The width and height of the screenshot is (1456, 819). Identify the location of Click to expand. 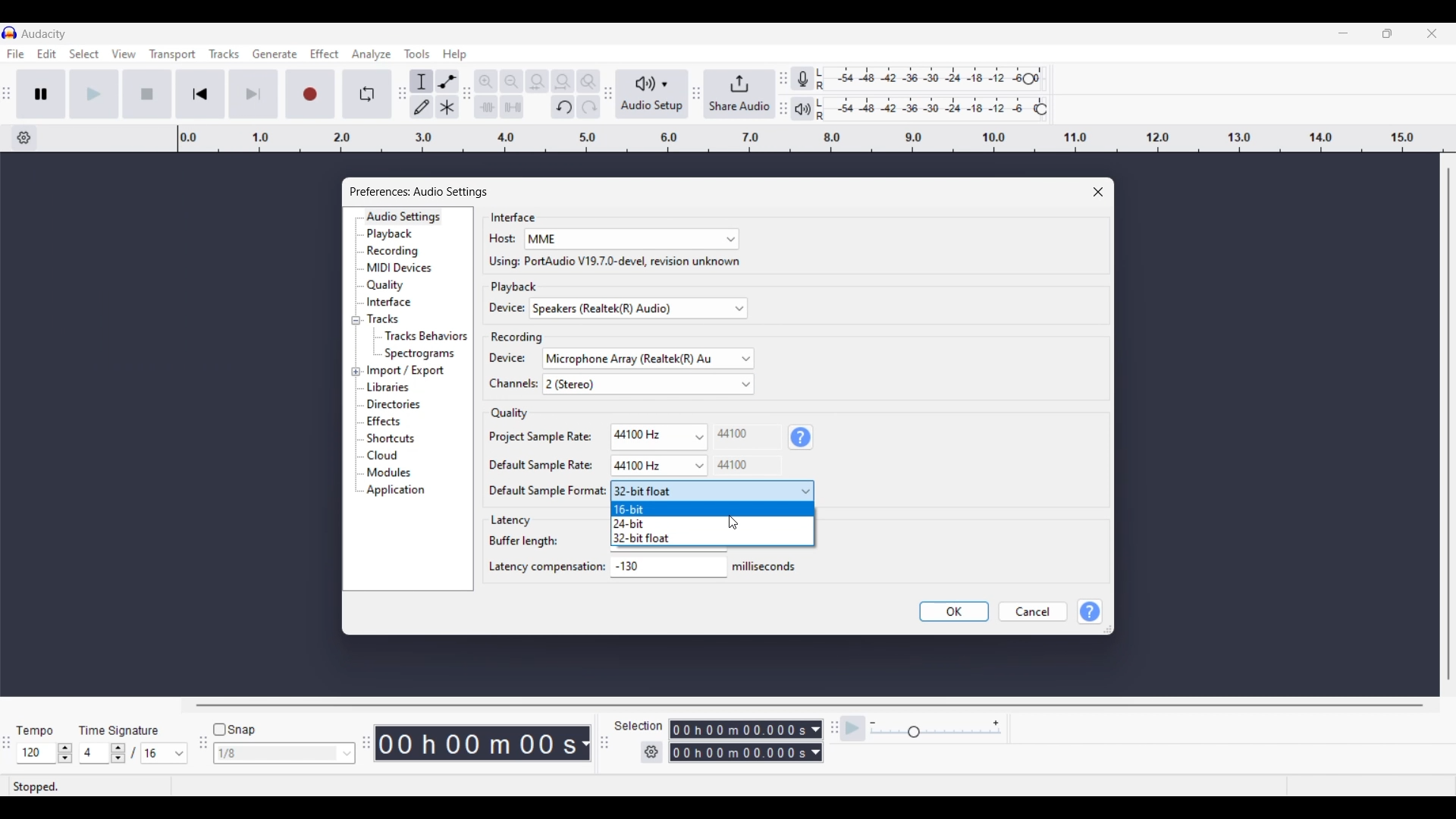
(356, 372).